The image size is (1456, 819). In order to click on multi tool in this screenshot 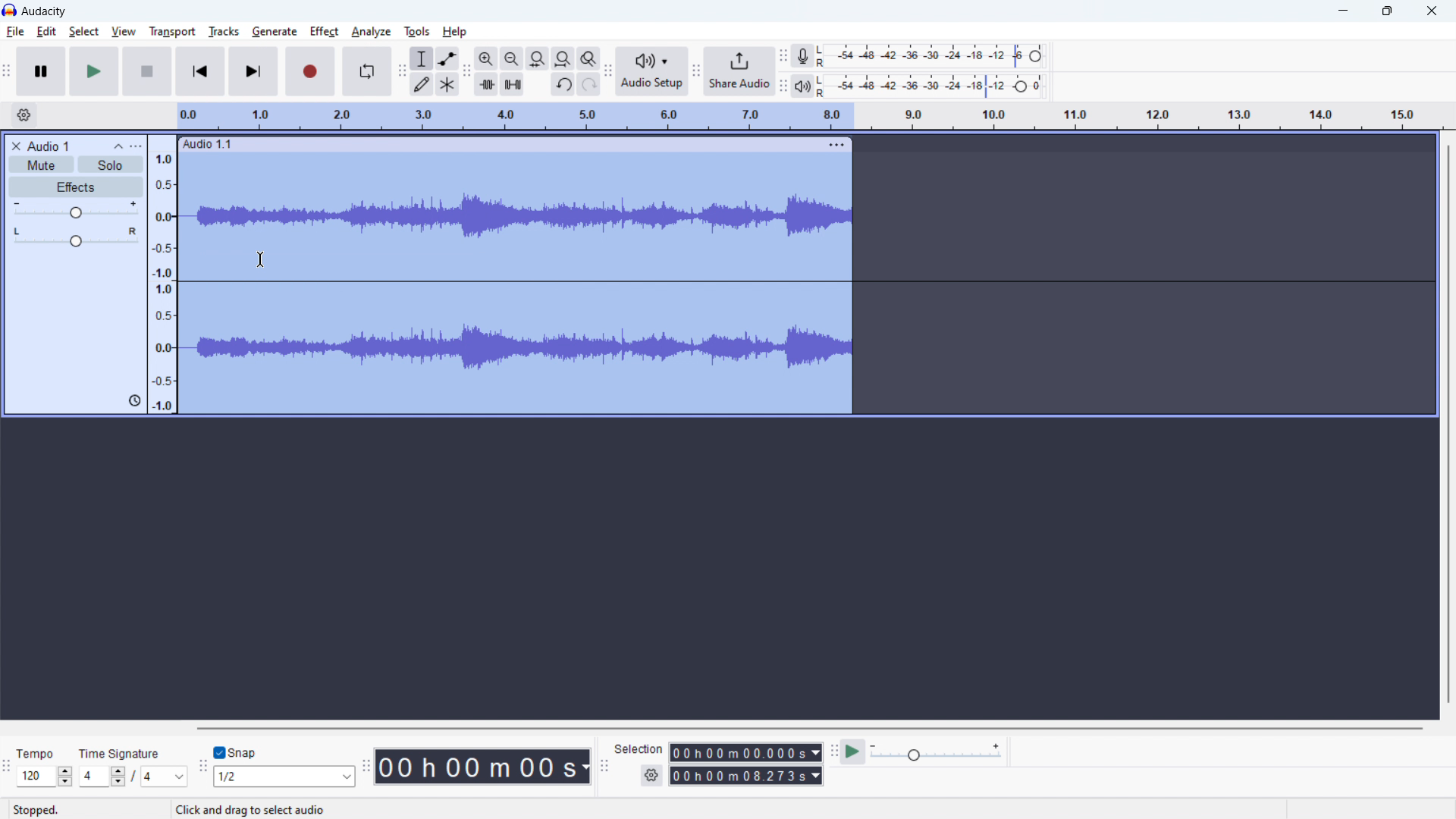, I will do `click(447, 83)`.